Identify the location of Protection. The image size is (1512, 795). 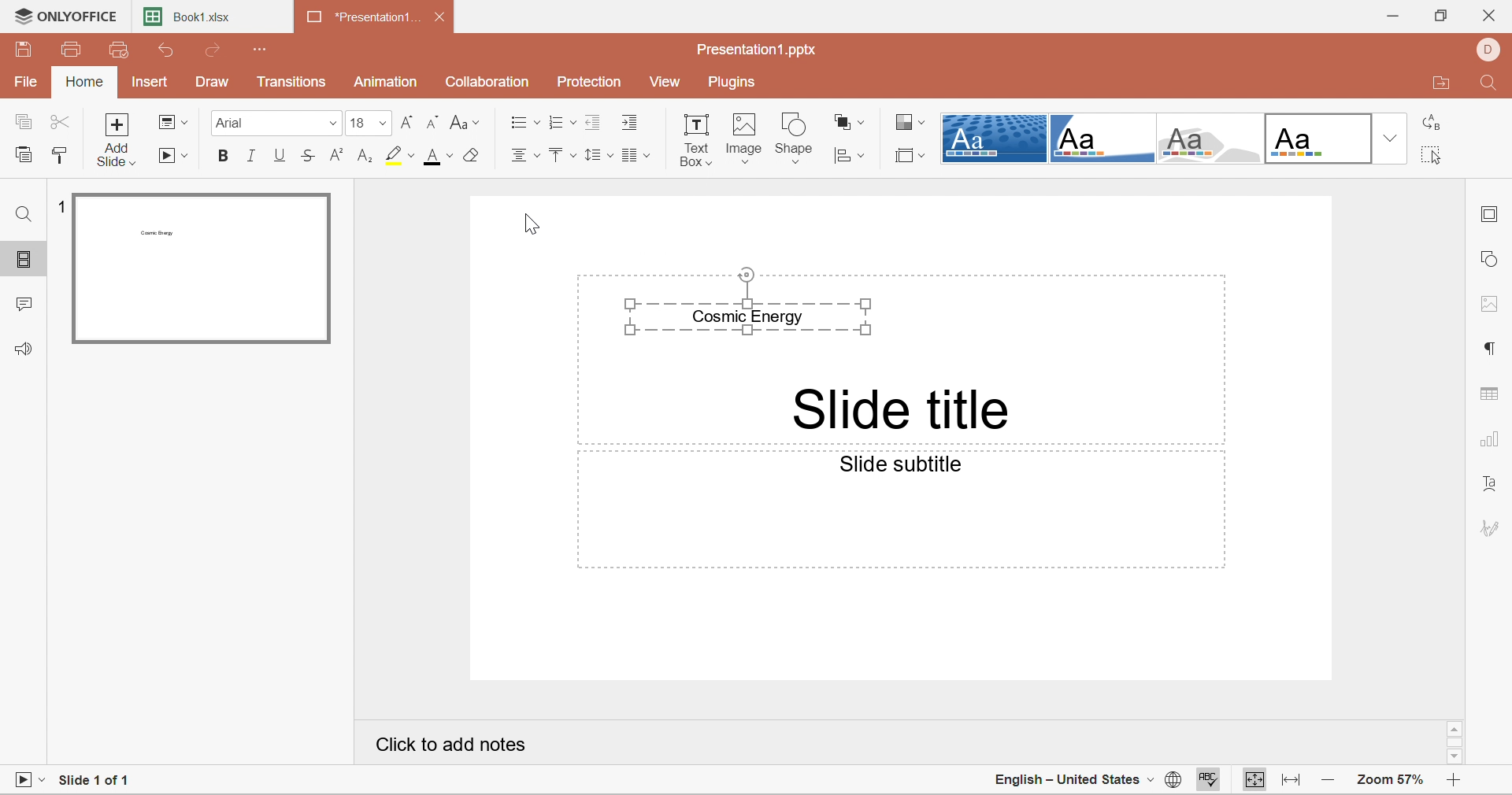
(590, 80).